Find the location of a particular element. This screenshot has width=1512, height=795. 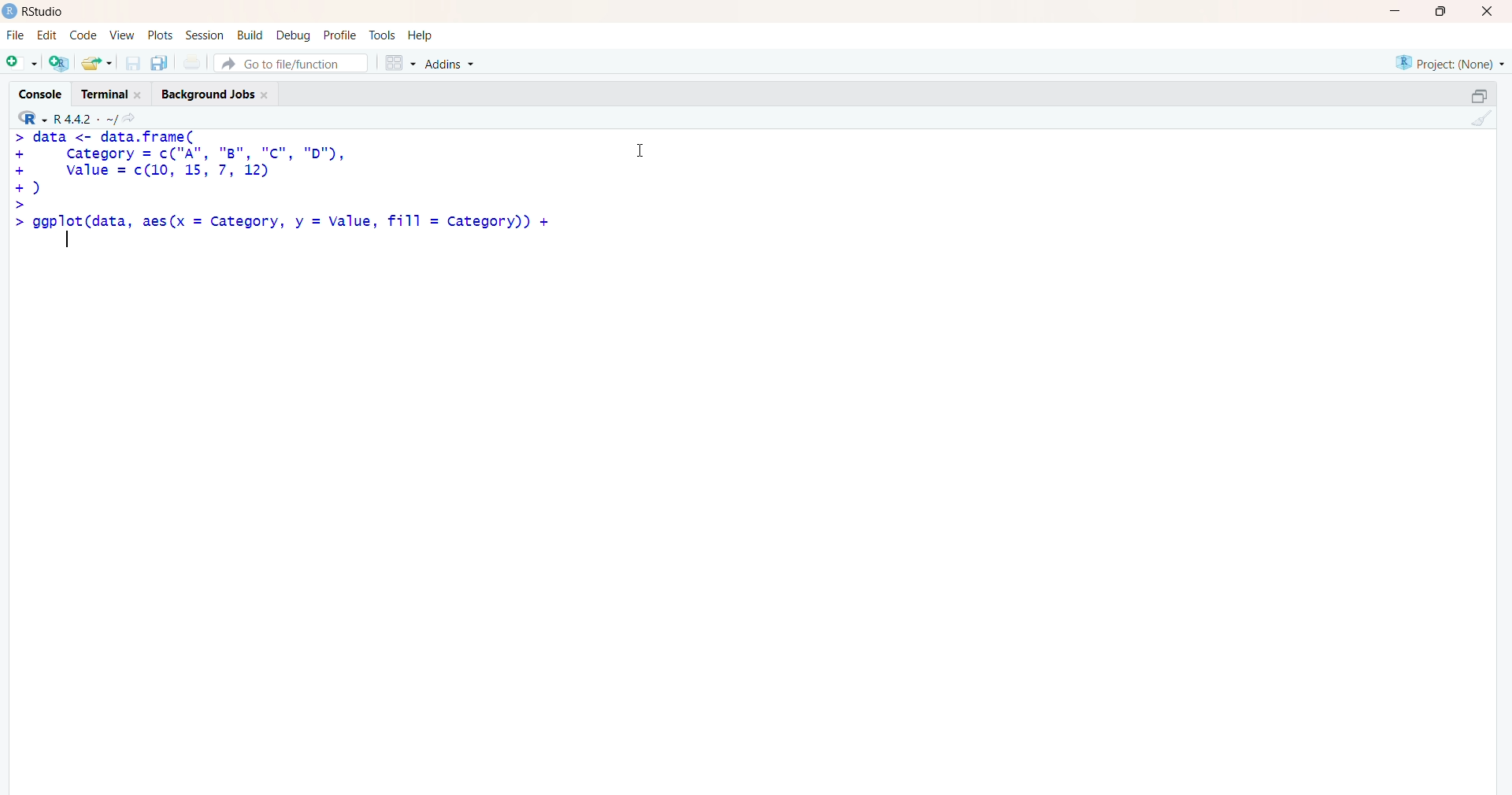

selected project - none is located at coordinates (1452, 62).